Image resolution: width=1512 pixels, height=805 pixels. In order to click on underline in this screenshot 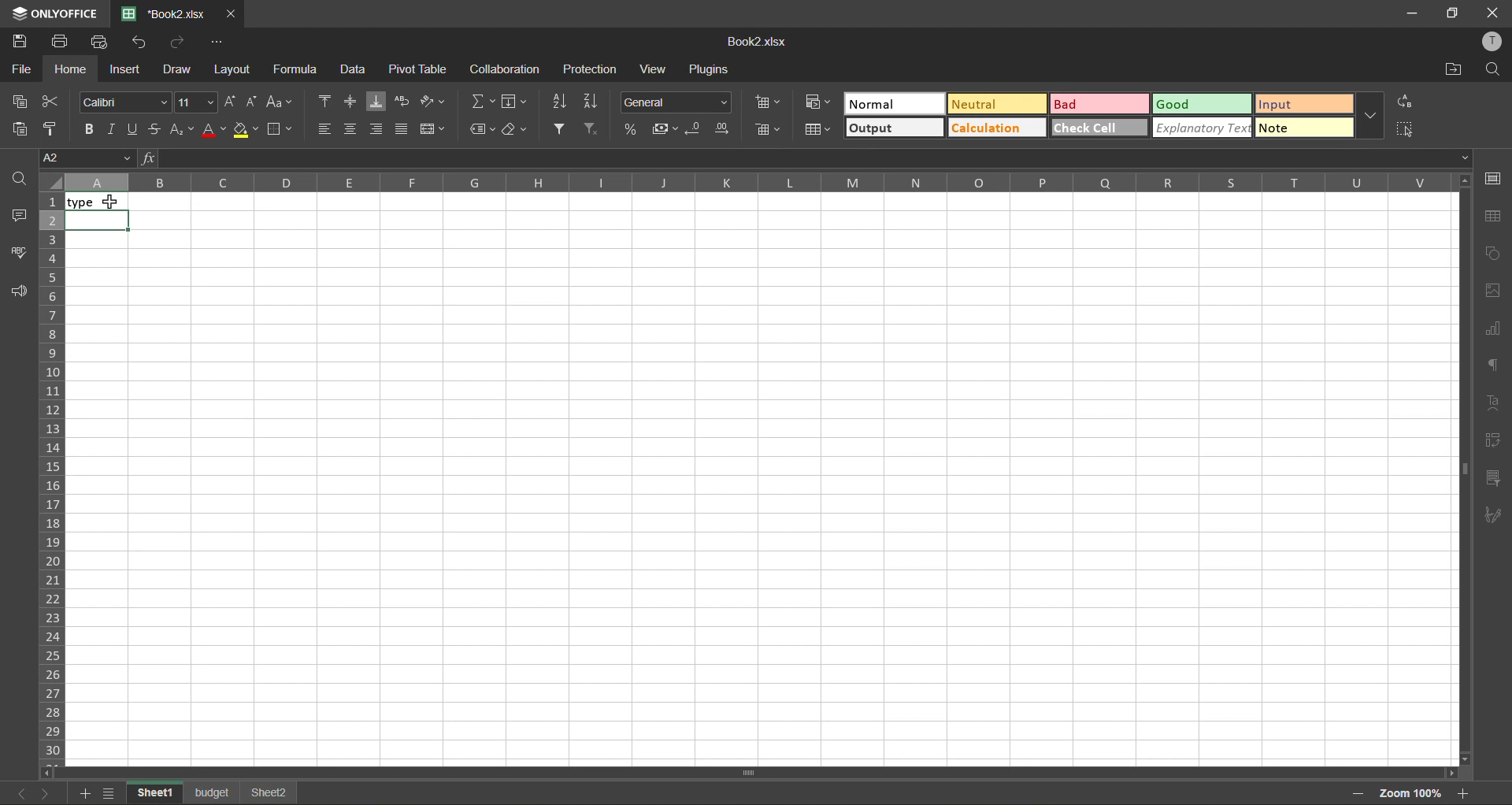, I will do `click(133, 130)`.